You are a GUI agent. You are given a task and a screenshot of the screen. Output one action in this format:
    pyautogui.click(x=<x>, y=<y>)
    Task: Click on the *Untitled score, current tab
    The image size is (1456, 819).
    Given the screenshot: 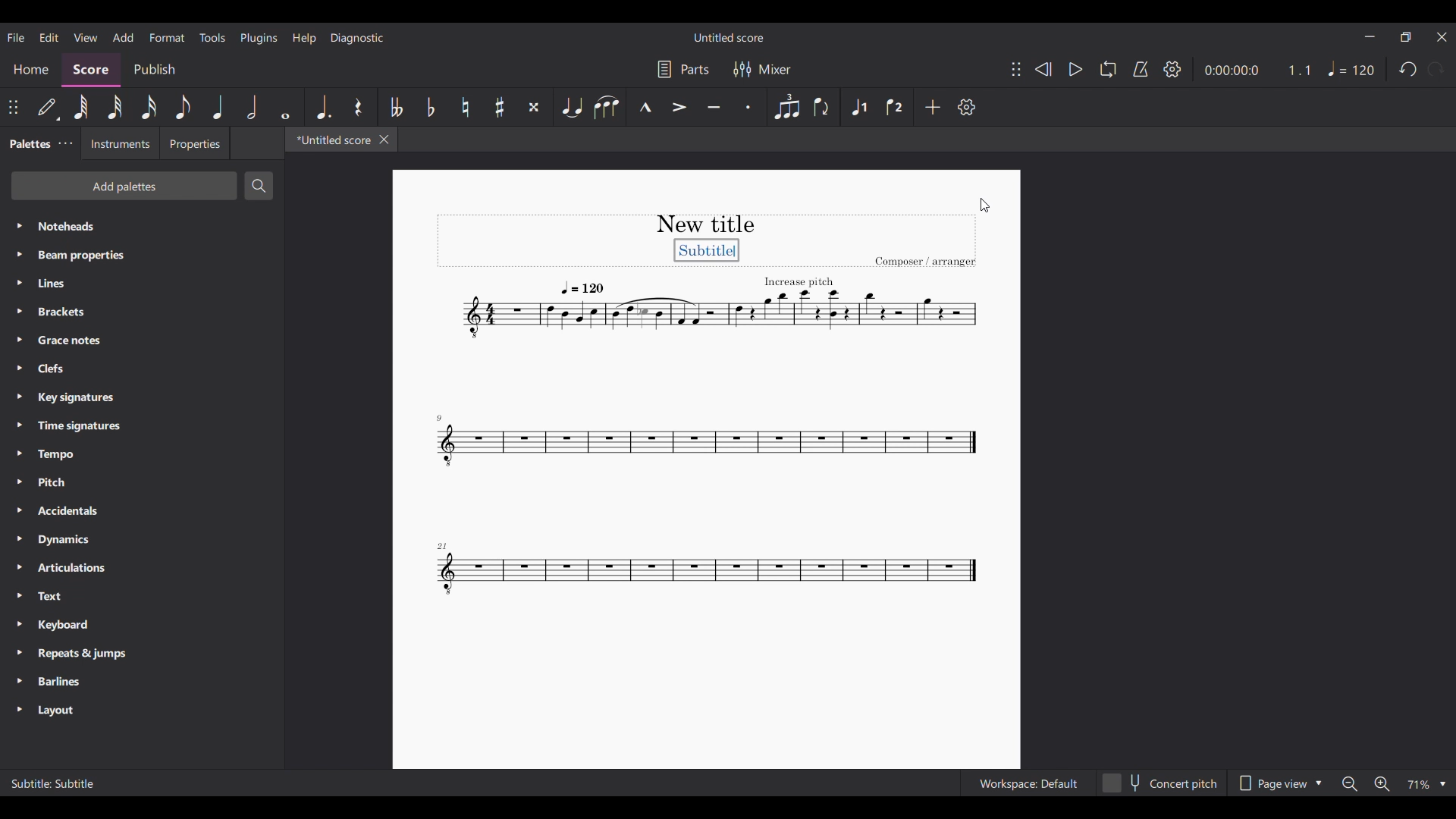 What is the action you would take?
    pyautogui.click(x=330, y=139)
    